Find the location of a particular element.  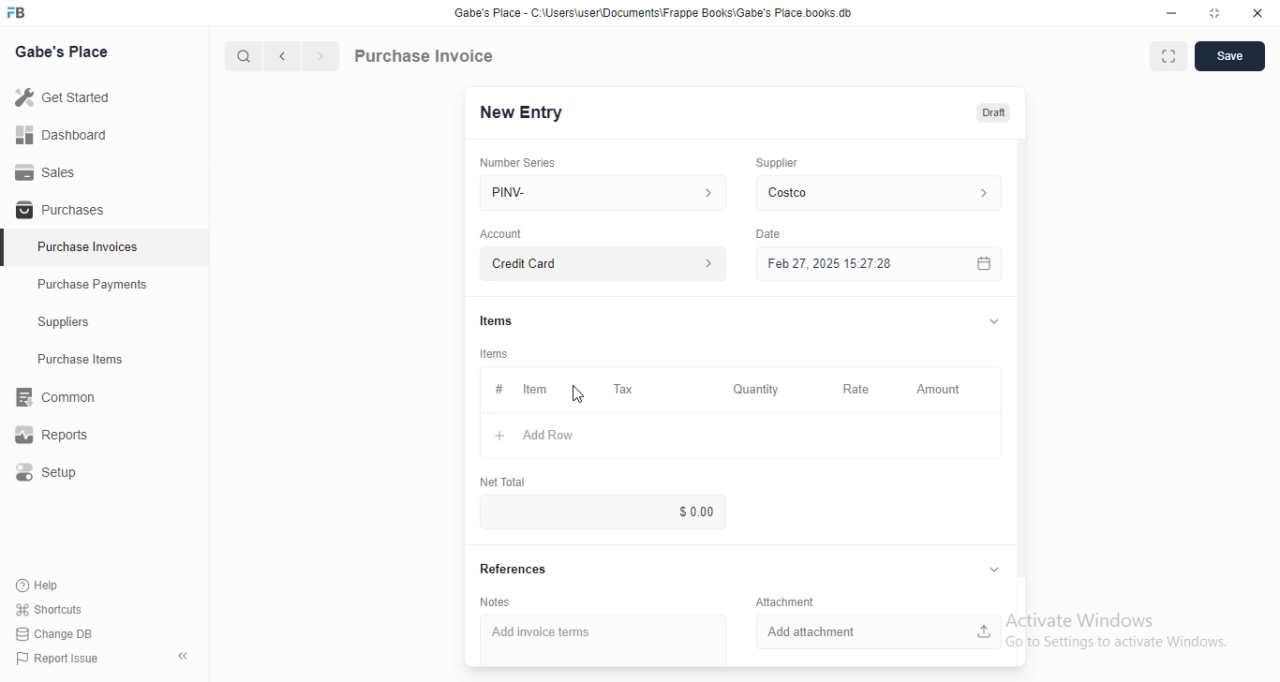

$ 0.00 is located at coordinates (602, 512).